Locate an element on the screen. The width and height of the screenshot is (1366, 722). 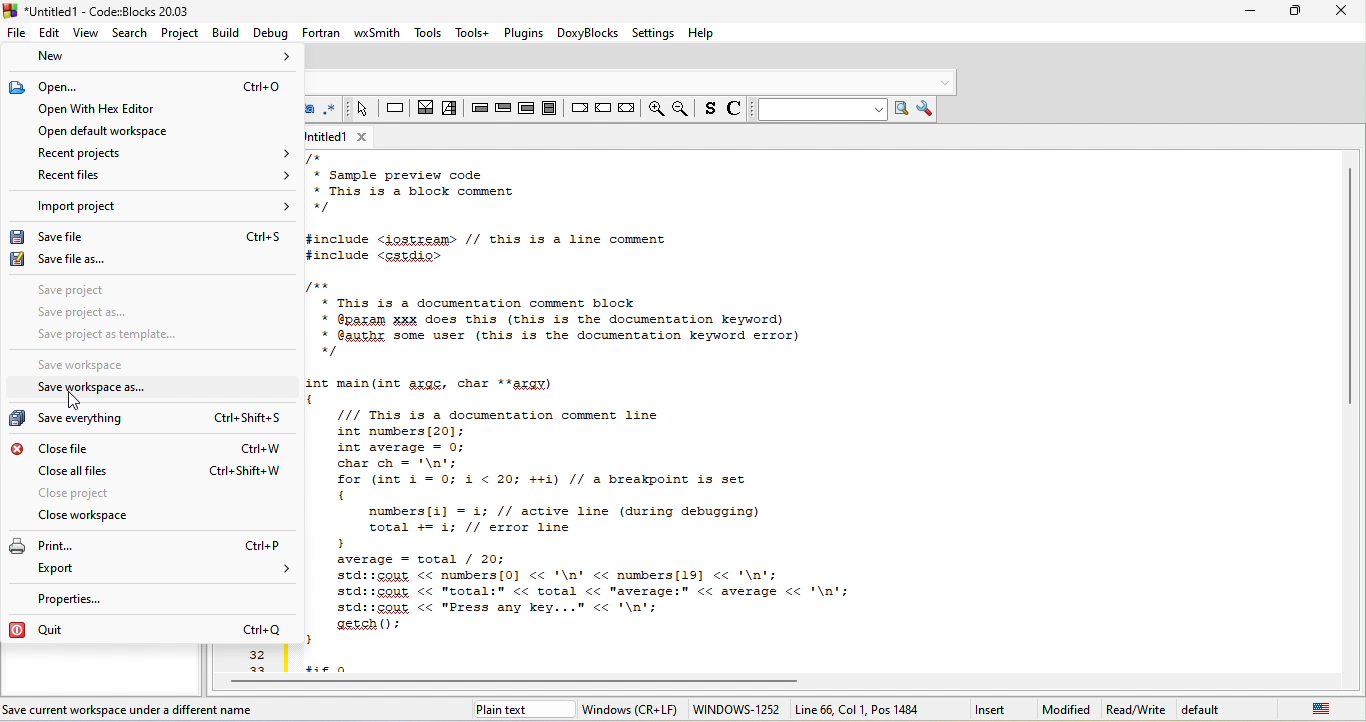
open is located at coordinates (152, 87).